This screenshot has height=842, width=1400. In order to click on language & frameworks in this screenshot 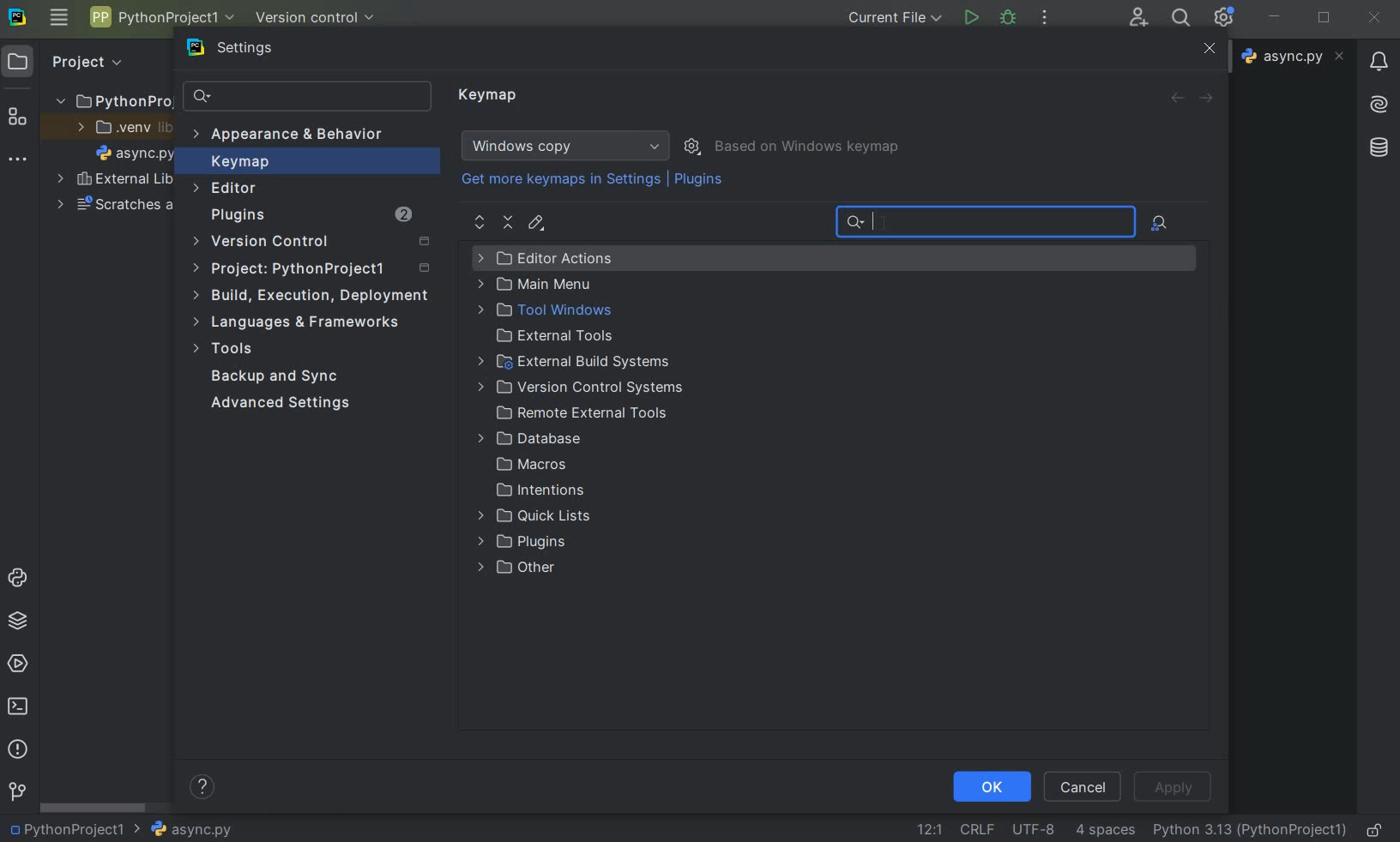, I will do `click(299, 323)`.